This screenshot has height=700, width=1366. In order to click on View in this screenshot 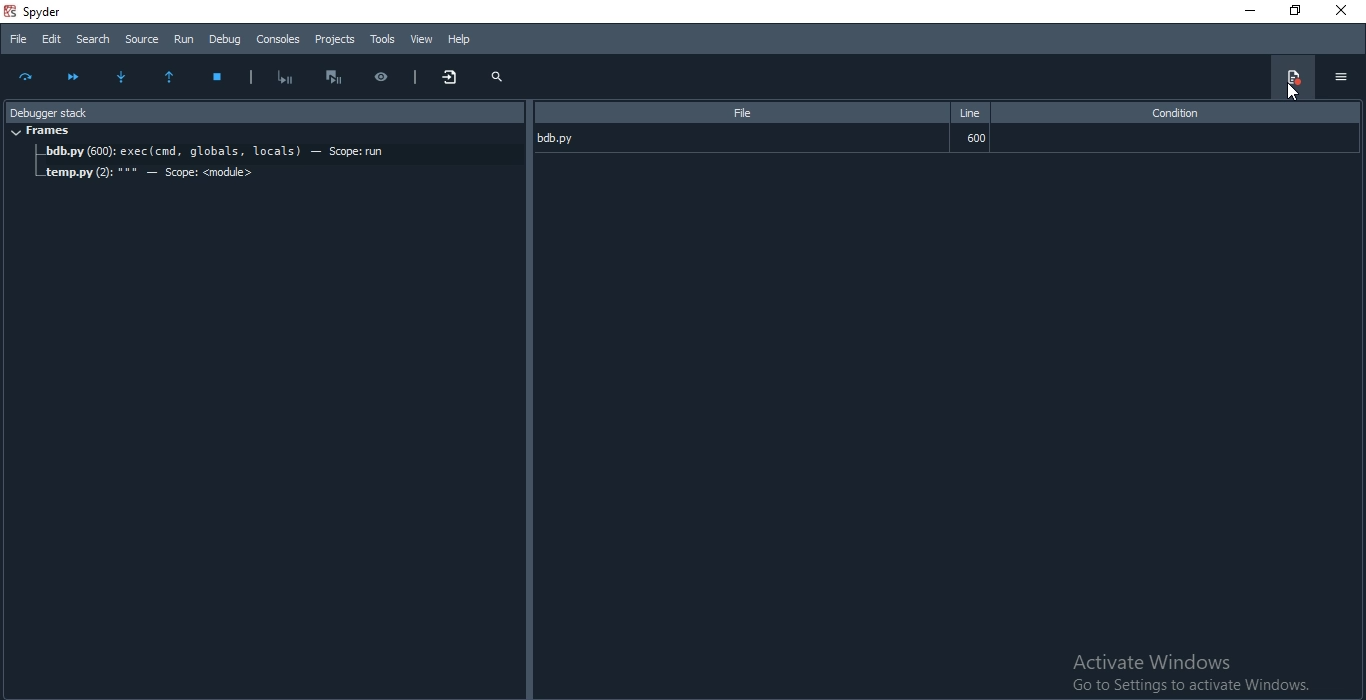, I will do `click(421, 39)`.